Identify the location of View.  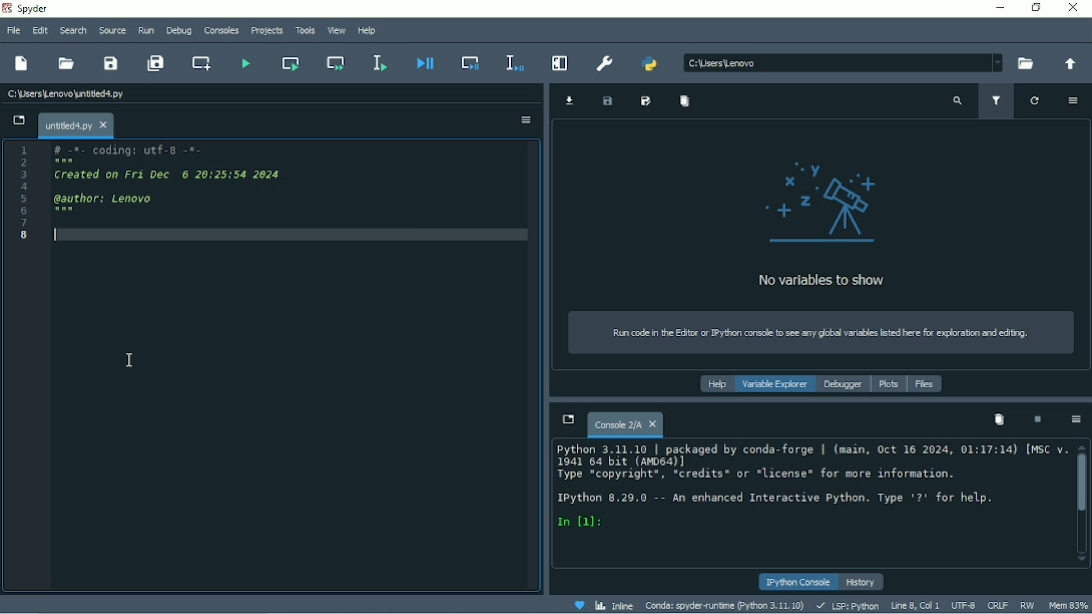
(336, 30).